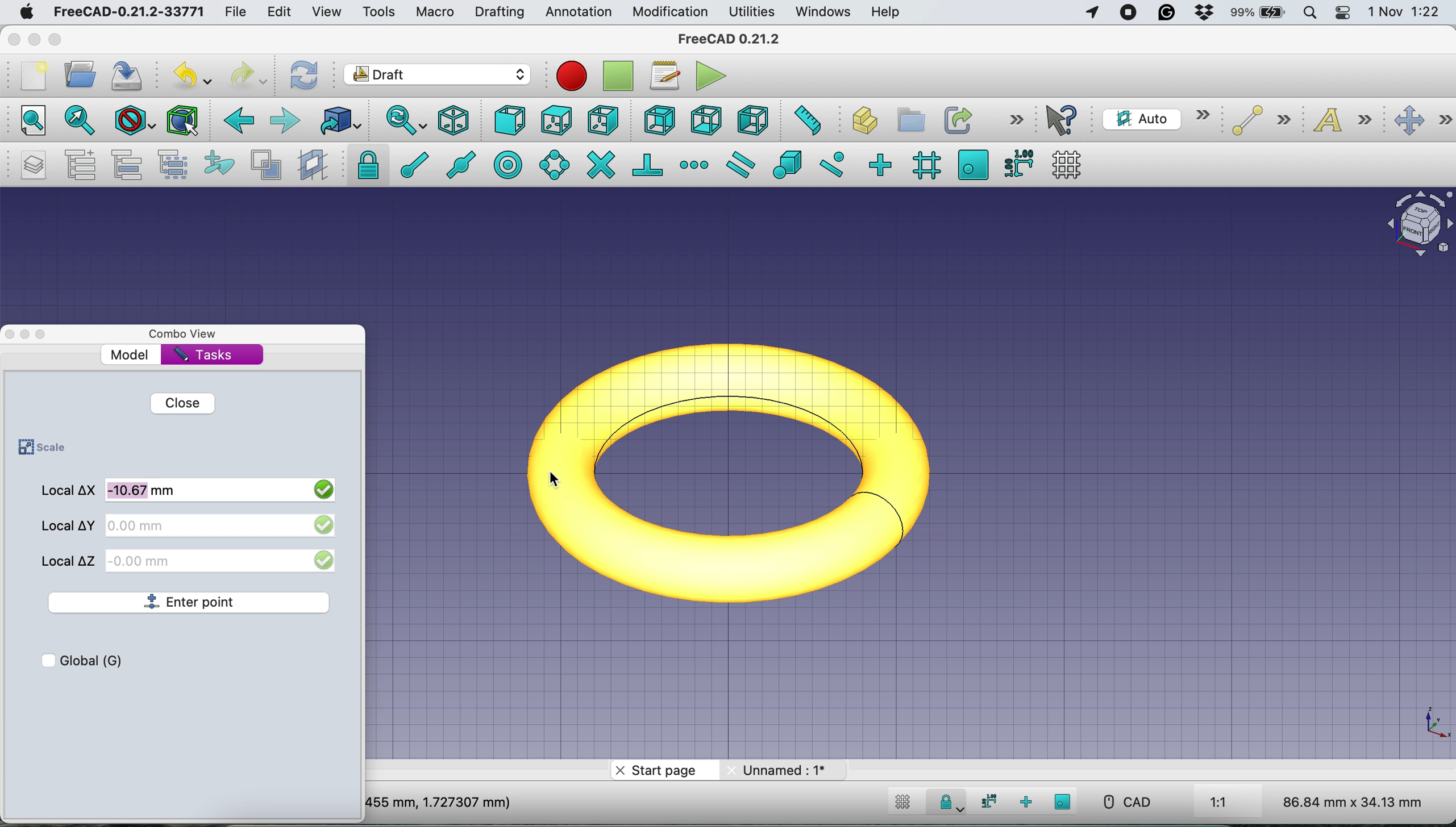  What do you see at coordinates (826, 12) in the screenshot?
I see `windows` at bounding box center [826, 12].